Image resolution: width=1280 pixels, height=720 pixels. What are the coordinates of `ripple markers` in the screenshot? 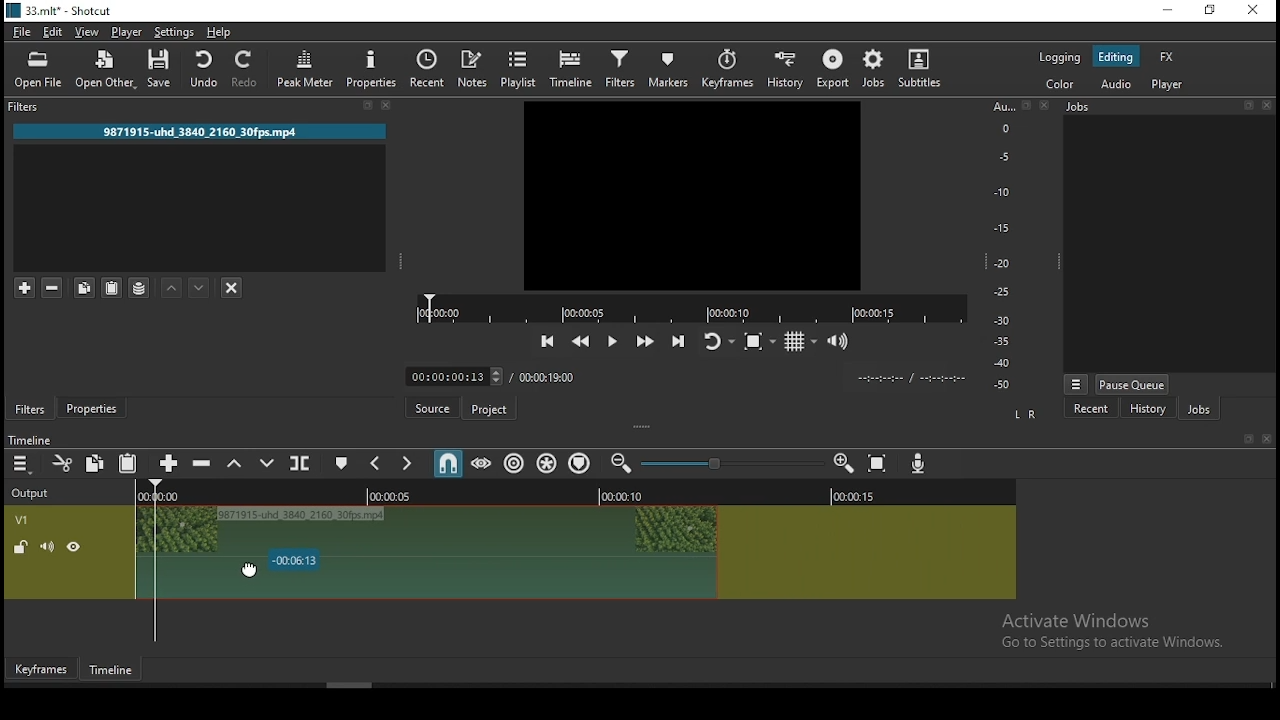 It's located at (582, 463).